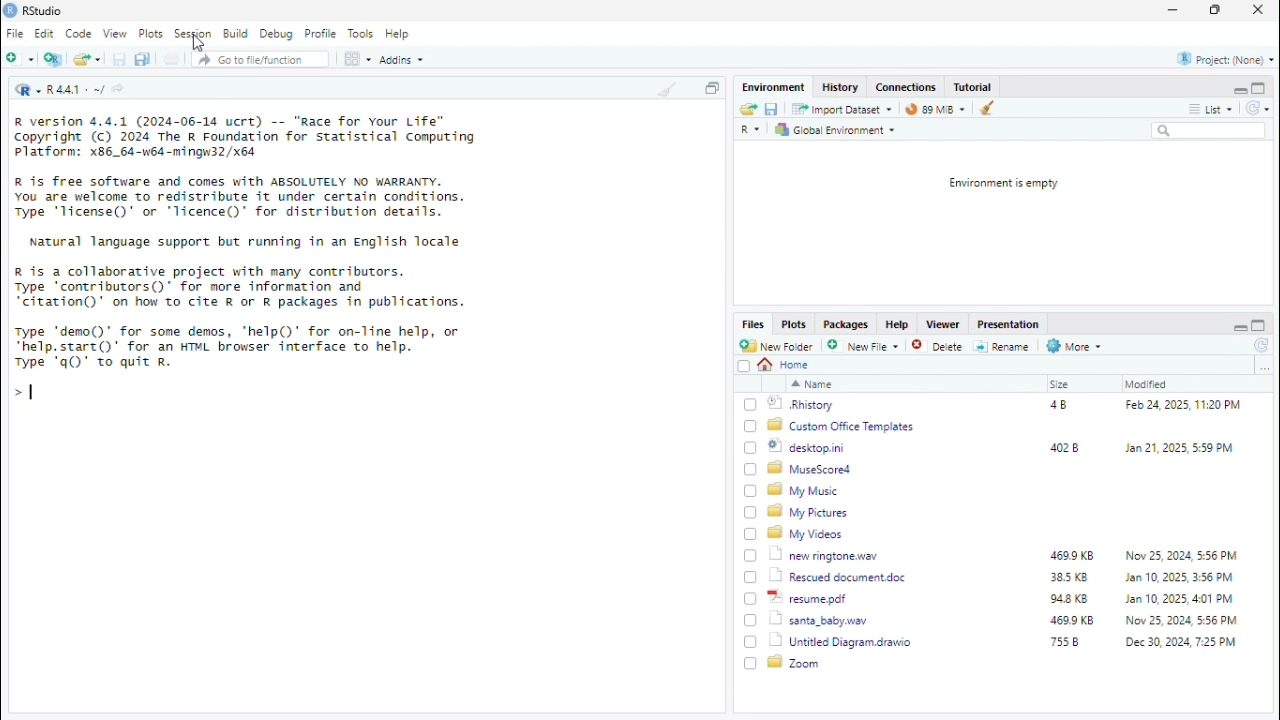 The image size is (1280, 720). I want to click on new ringtone. wav 469.9KB Nov 25 2024 556 PM, so click(1004, 554).